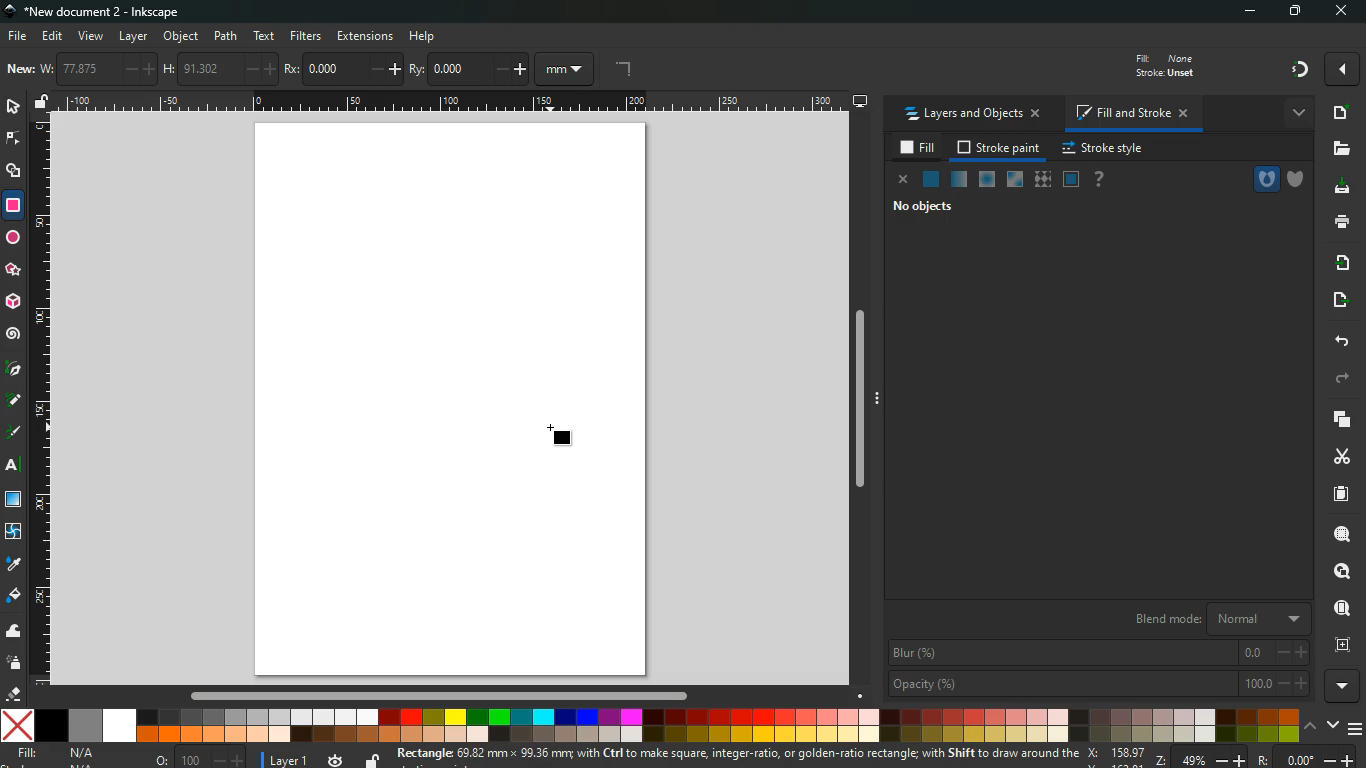 This screenshot has width=1366, height=768. What do you see at coordinates (1095, 652) in the screenshot?
I see `blur` at bounding box center [1095, 652].